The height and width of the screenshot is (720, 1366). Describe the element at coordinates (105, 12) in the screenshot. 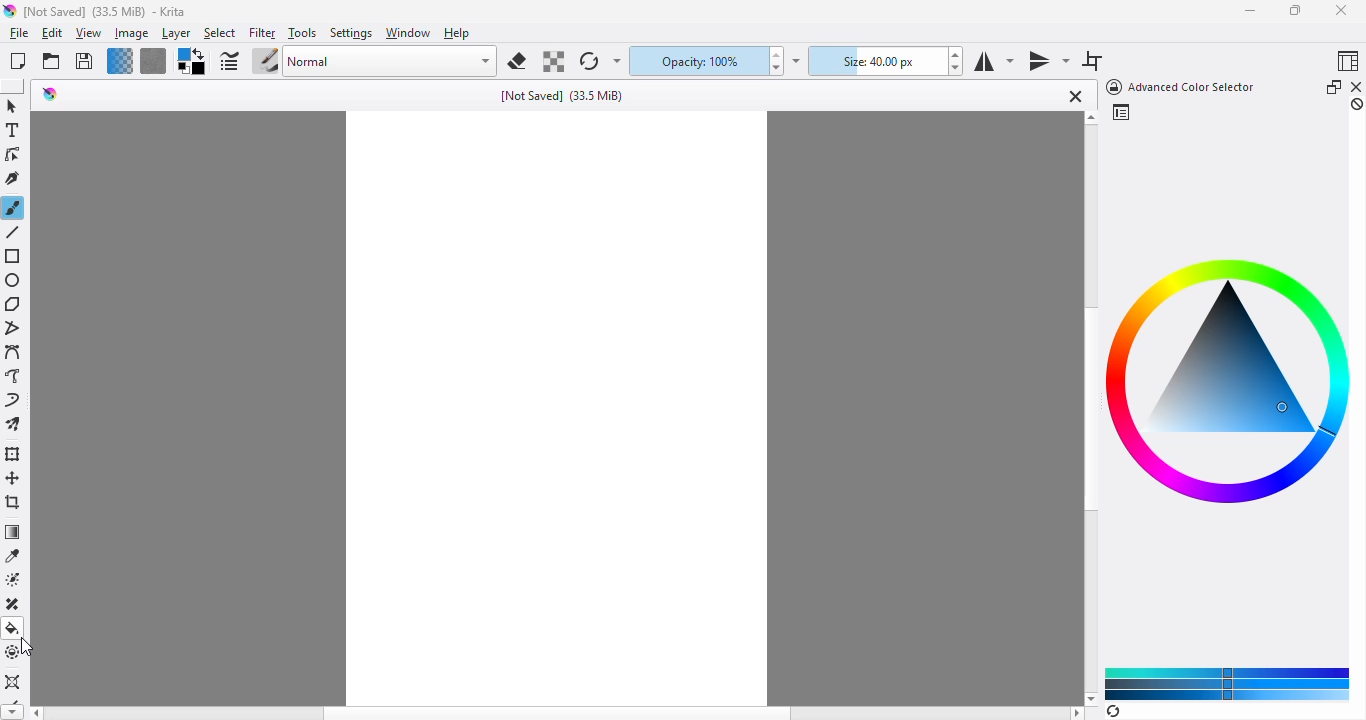

I see `title` at that location.